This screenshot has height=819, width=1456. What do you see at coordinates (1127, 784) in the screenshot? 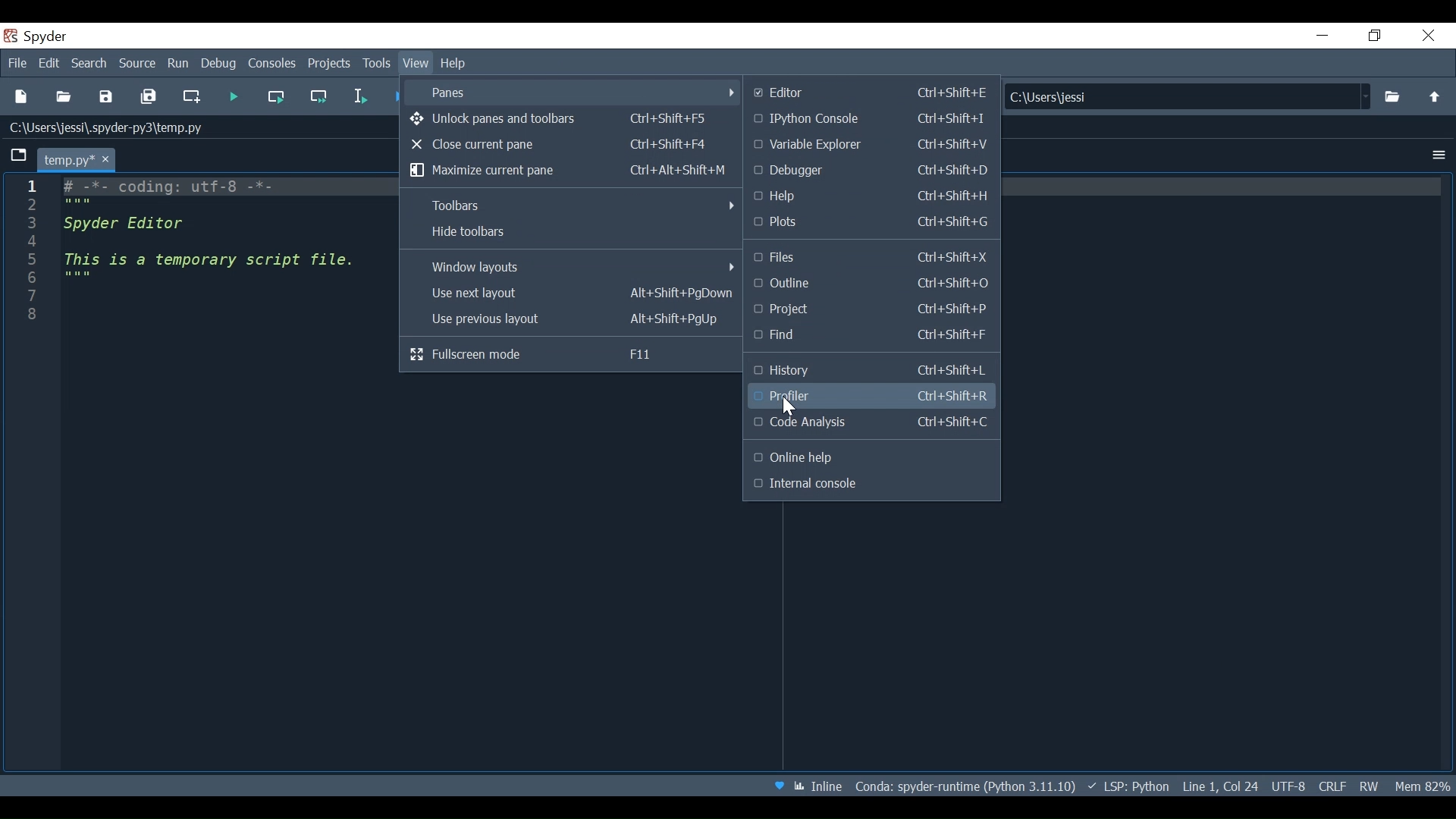
I see `Language` at bounding box center [1127, 784].